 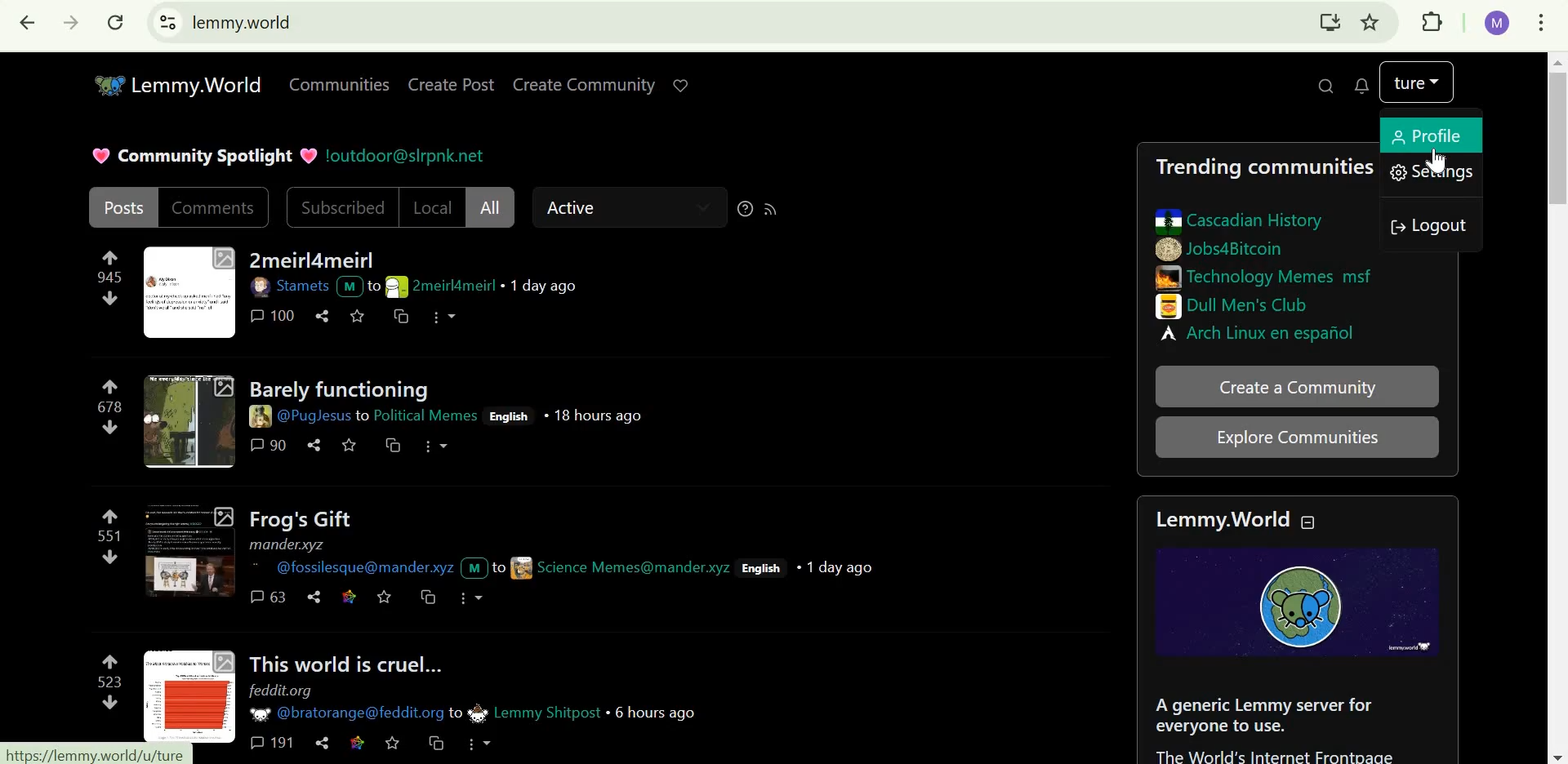 I want to click on posts, so click(x=124, y=206).